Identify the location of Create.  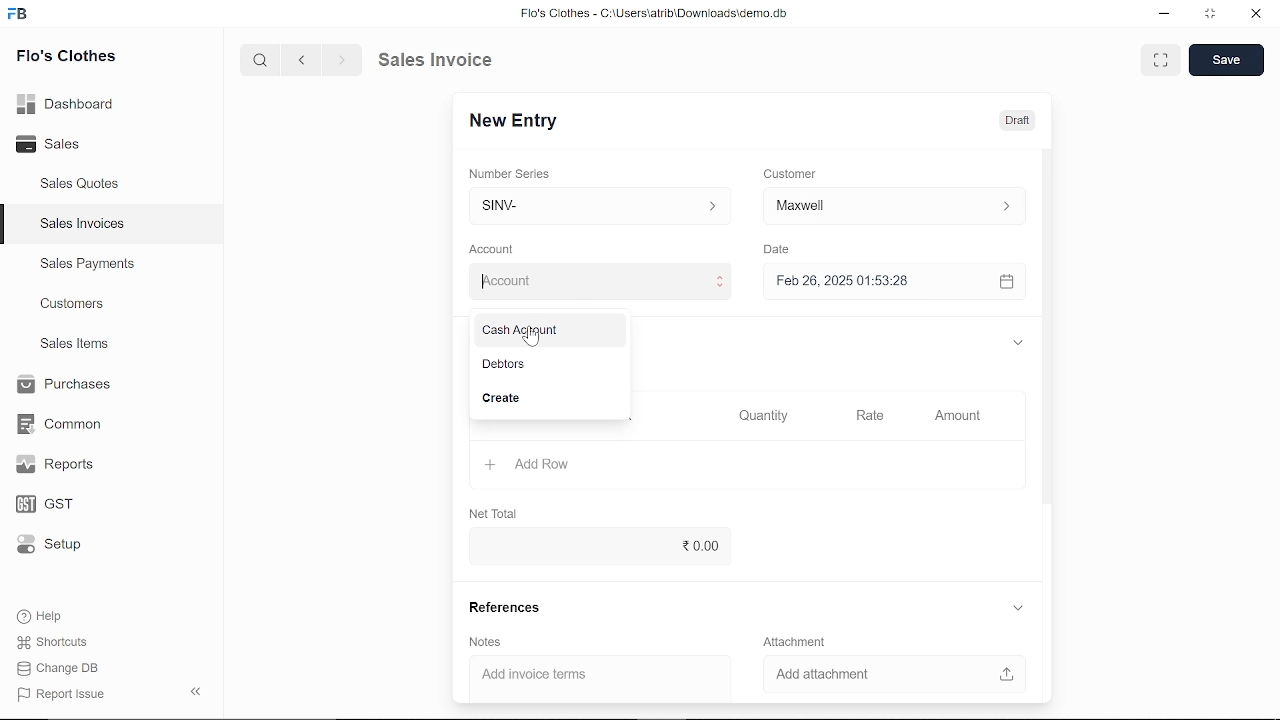
(549, 400).